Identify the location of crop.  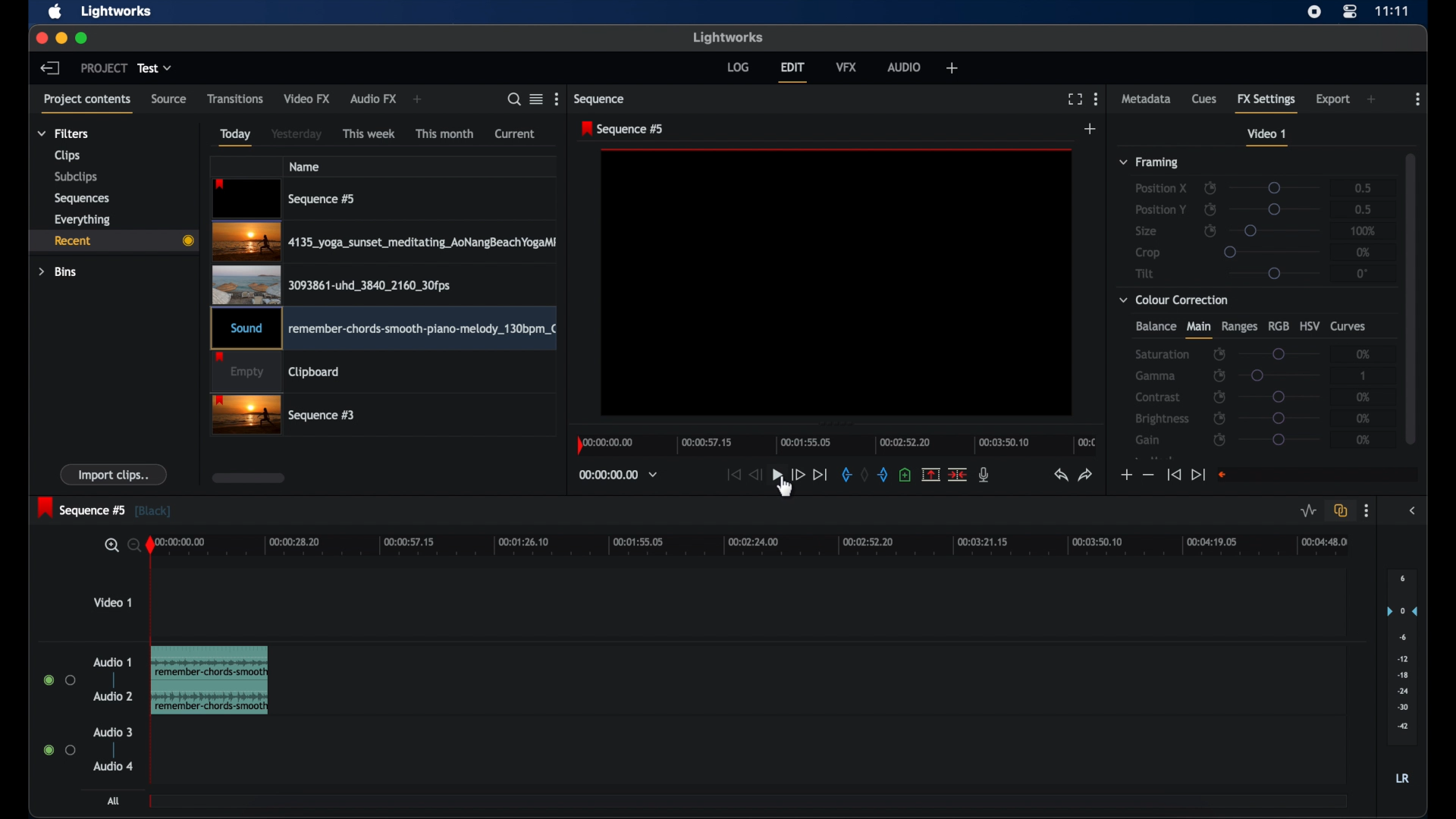
(1148, 253).